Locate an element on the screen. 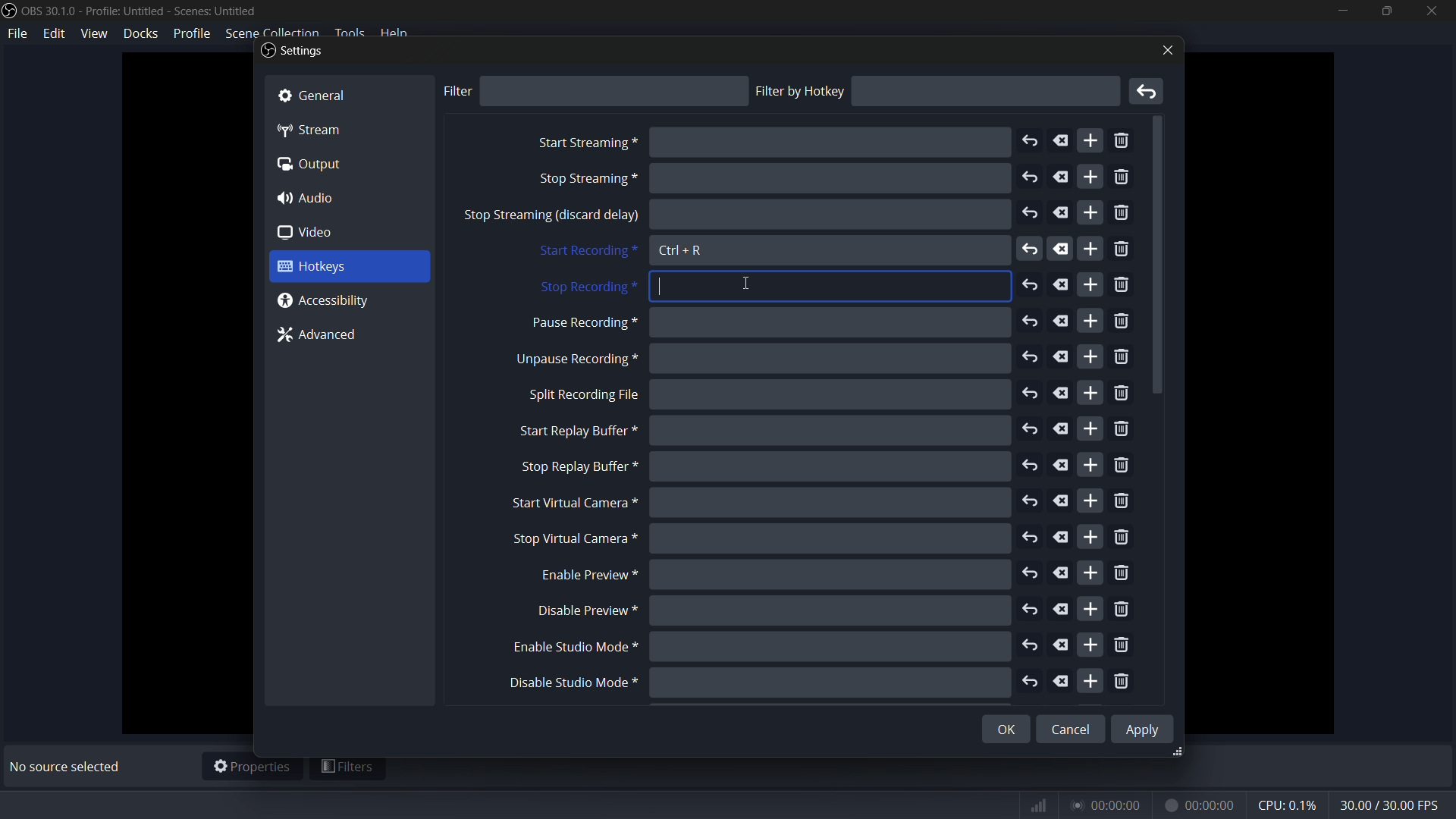 Image resolution: width=1456 pixels, height=819 pixels. enable studio mode is located at coordinates (571, 648).